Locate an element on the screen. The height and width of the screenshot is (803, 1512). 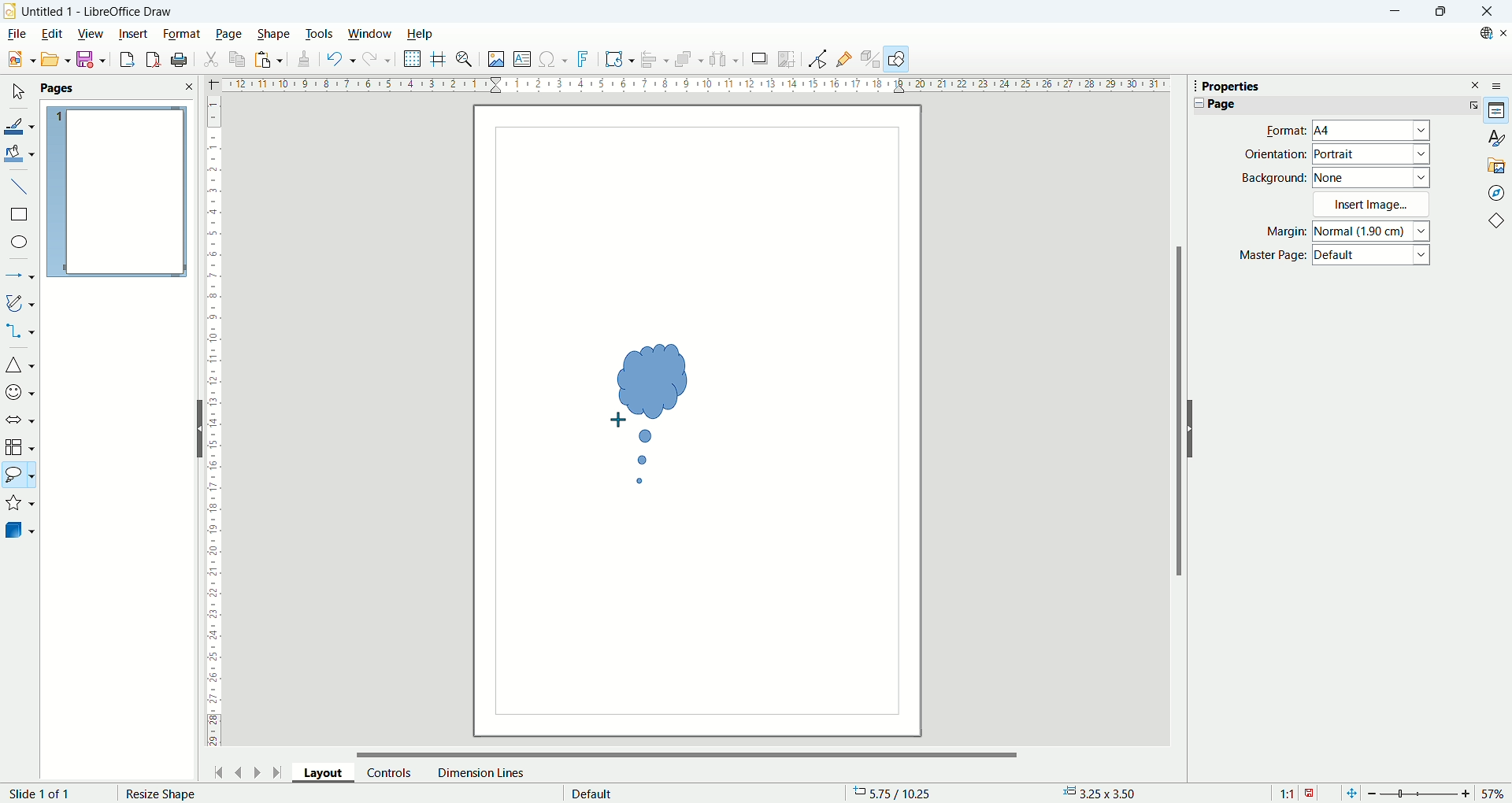
previous page is located at coordinates (240, 771).